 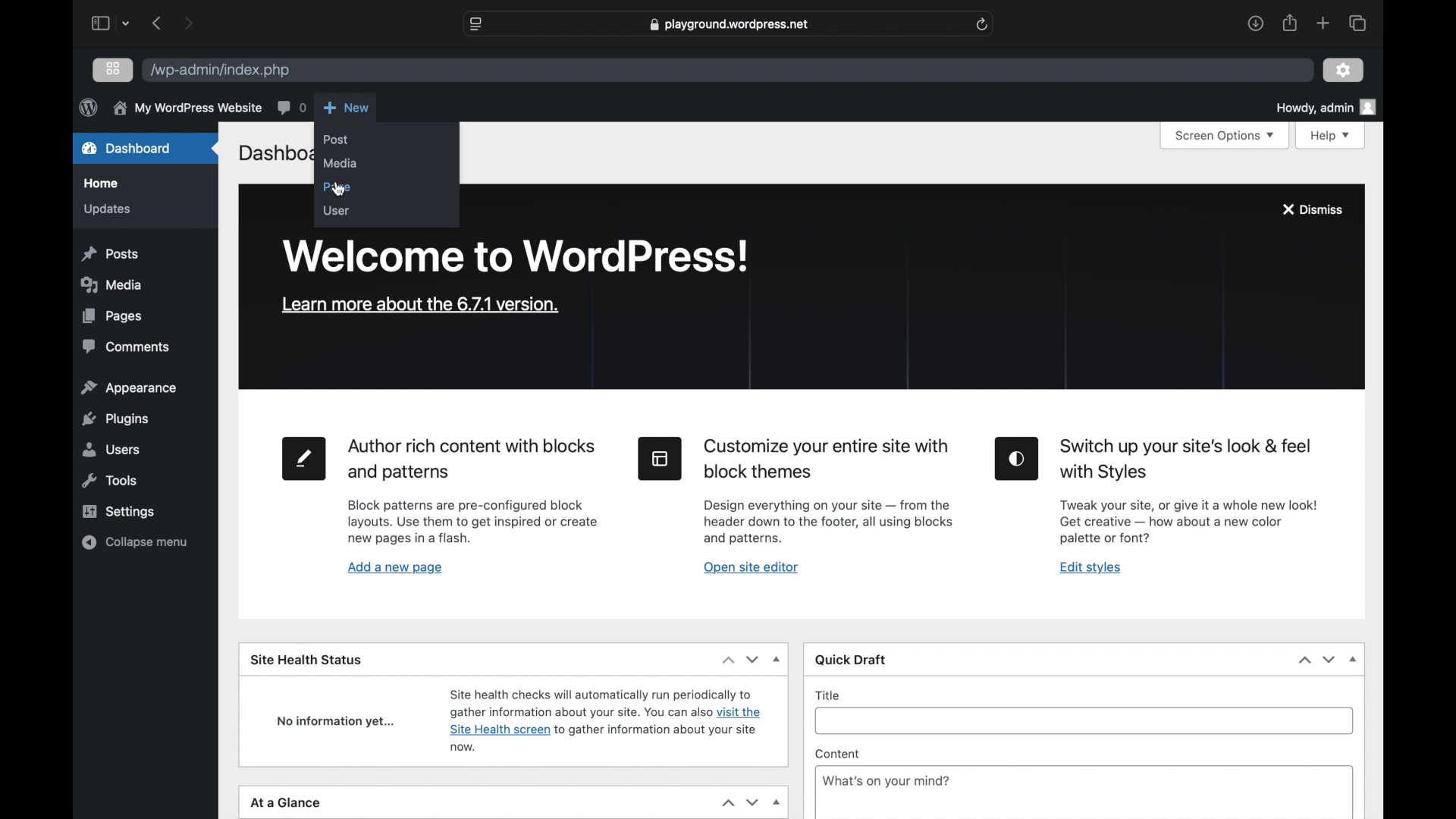 What do you see at coordinates (304, 459) in the screenshot?
I see `edit` at bounding box center [304, 459].